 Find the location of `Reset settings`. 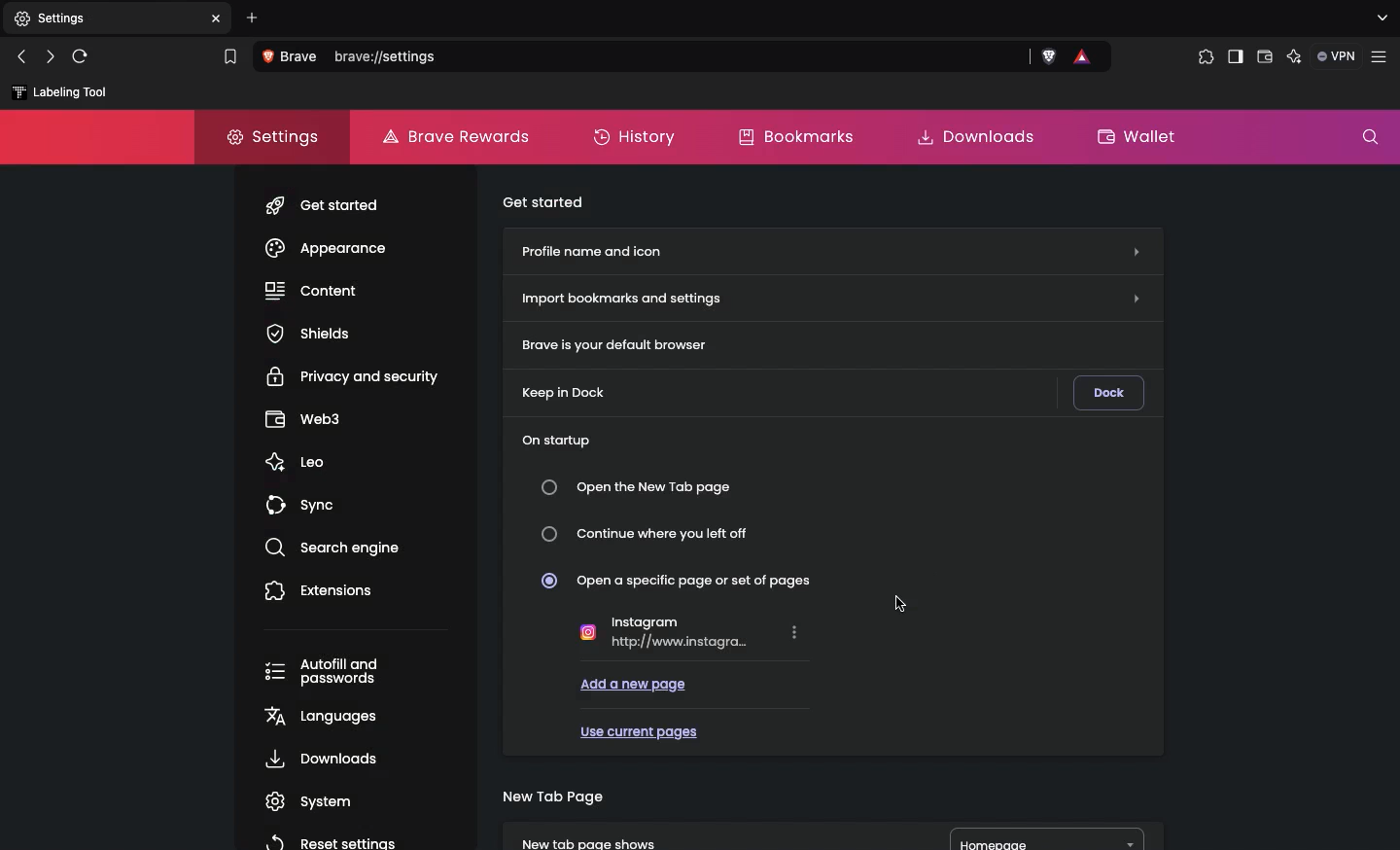

Reset settings is located at coordinates (331, 839).